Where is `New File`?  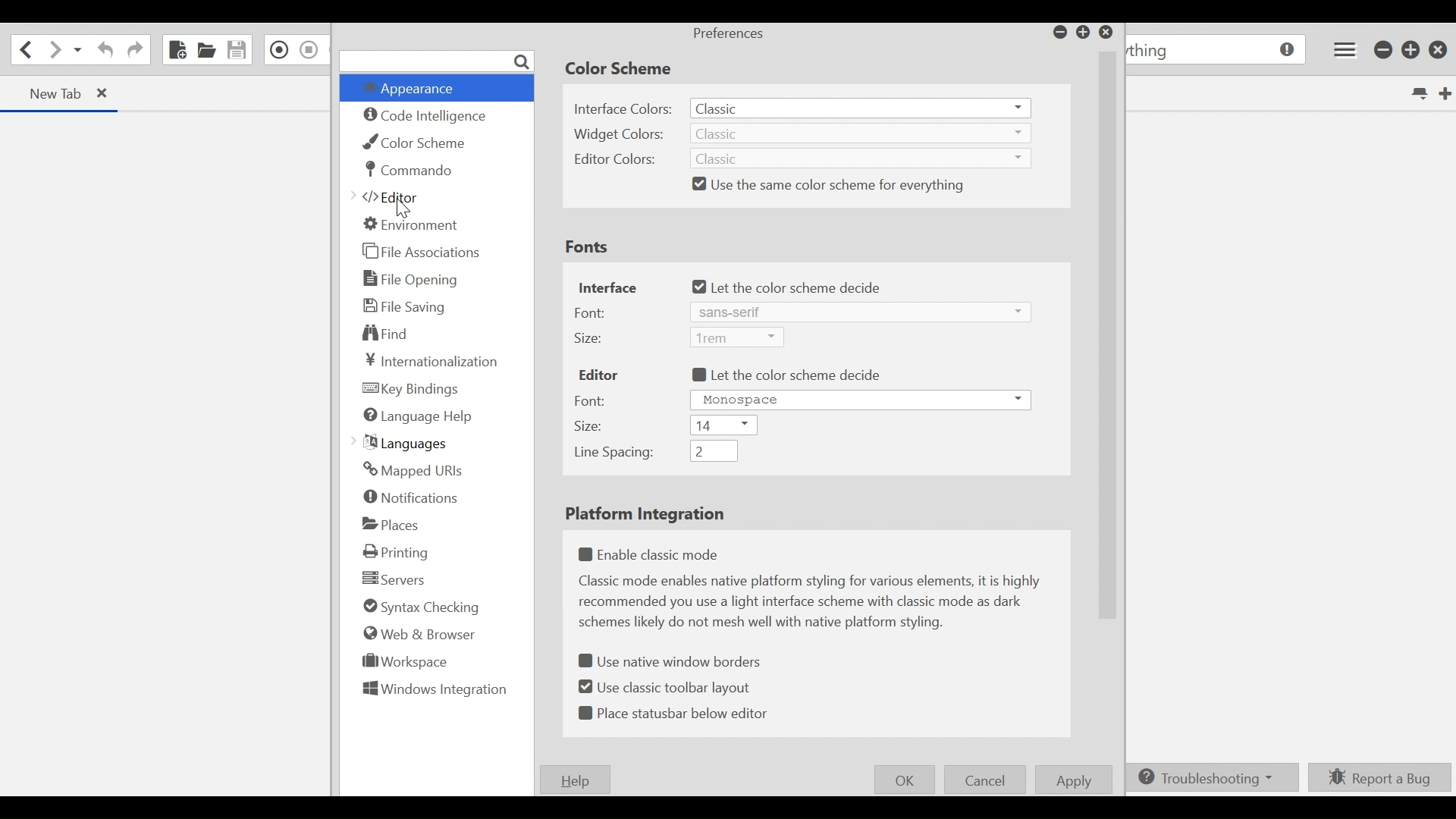 New File is located at coordinates (178, 50).